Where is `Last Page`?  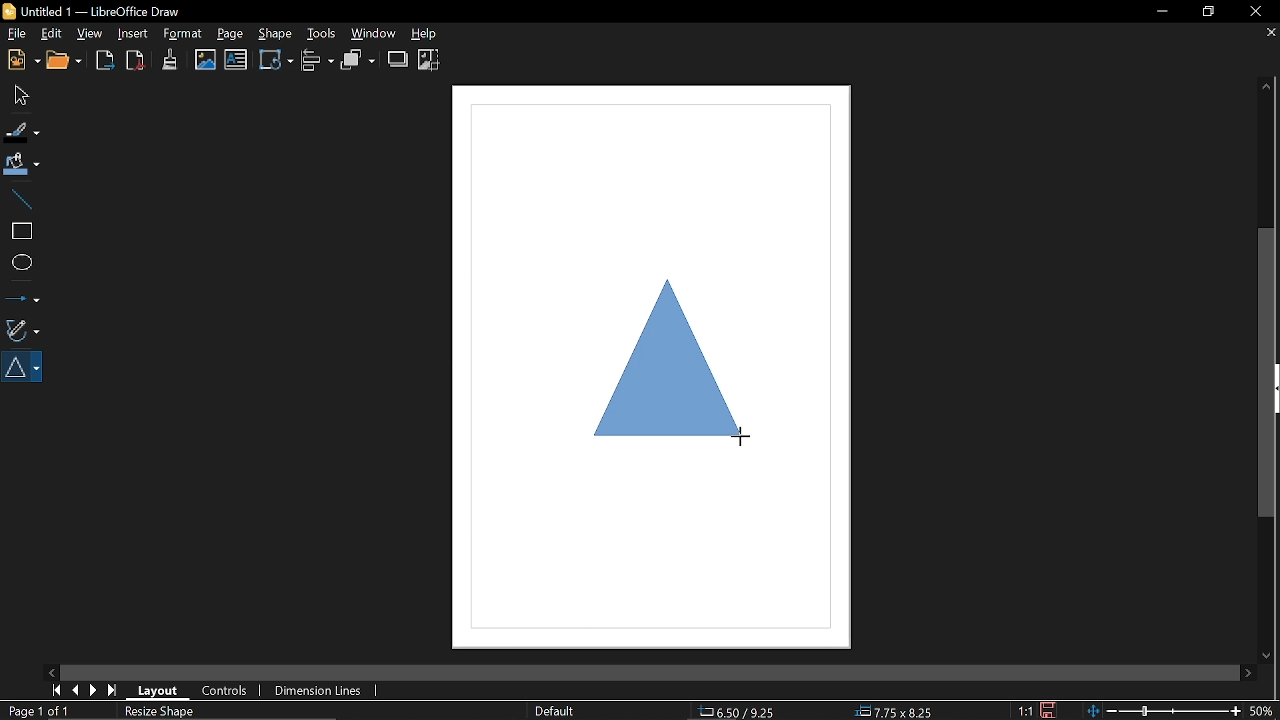
Last Page is located at coordinates (113, 691).